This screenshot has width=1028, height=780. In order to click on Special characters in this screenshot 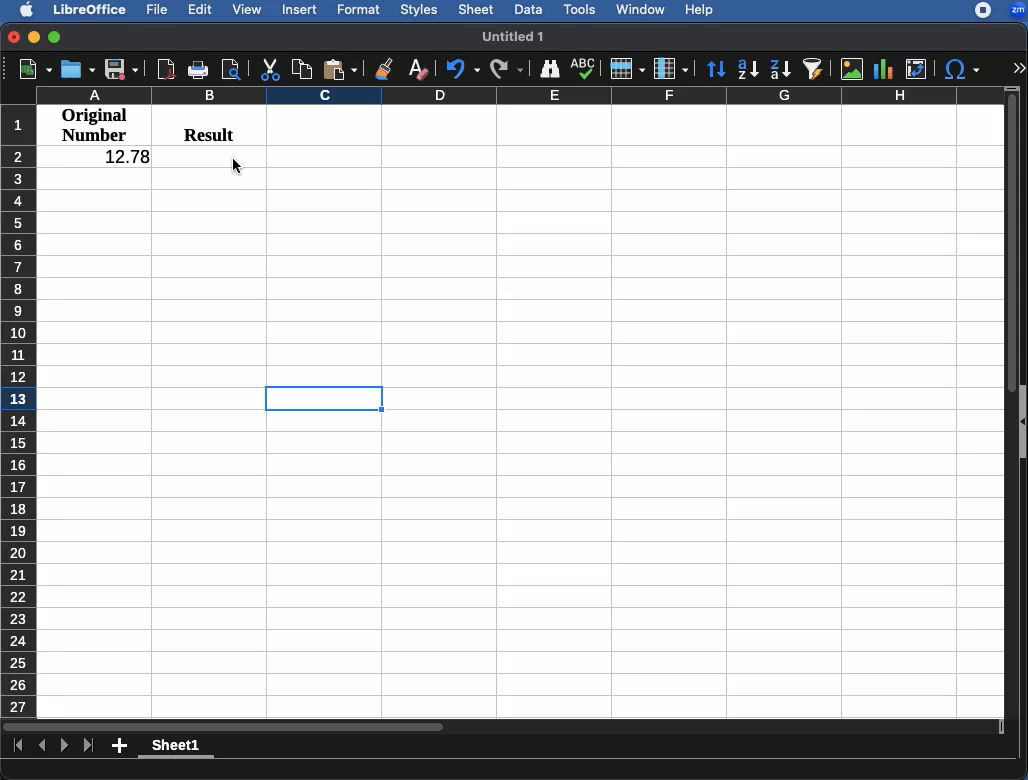, I will do `click(964, 69)`.